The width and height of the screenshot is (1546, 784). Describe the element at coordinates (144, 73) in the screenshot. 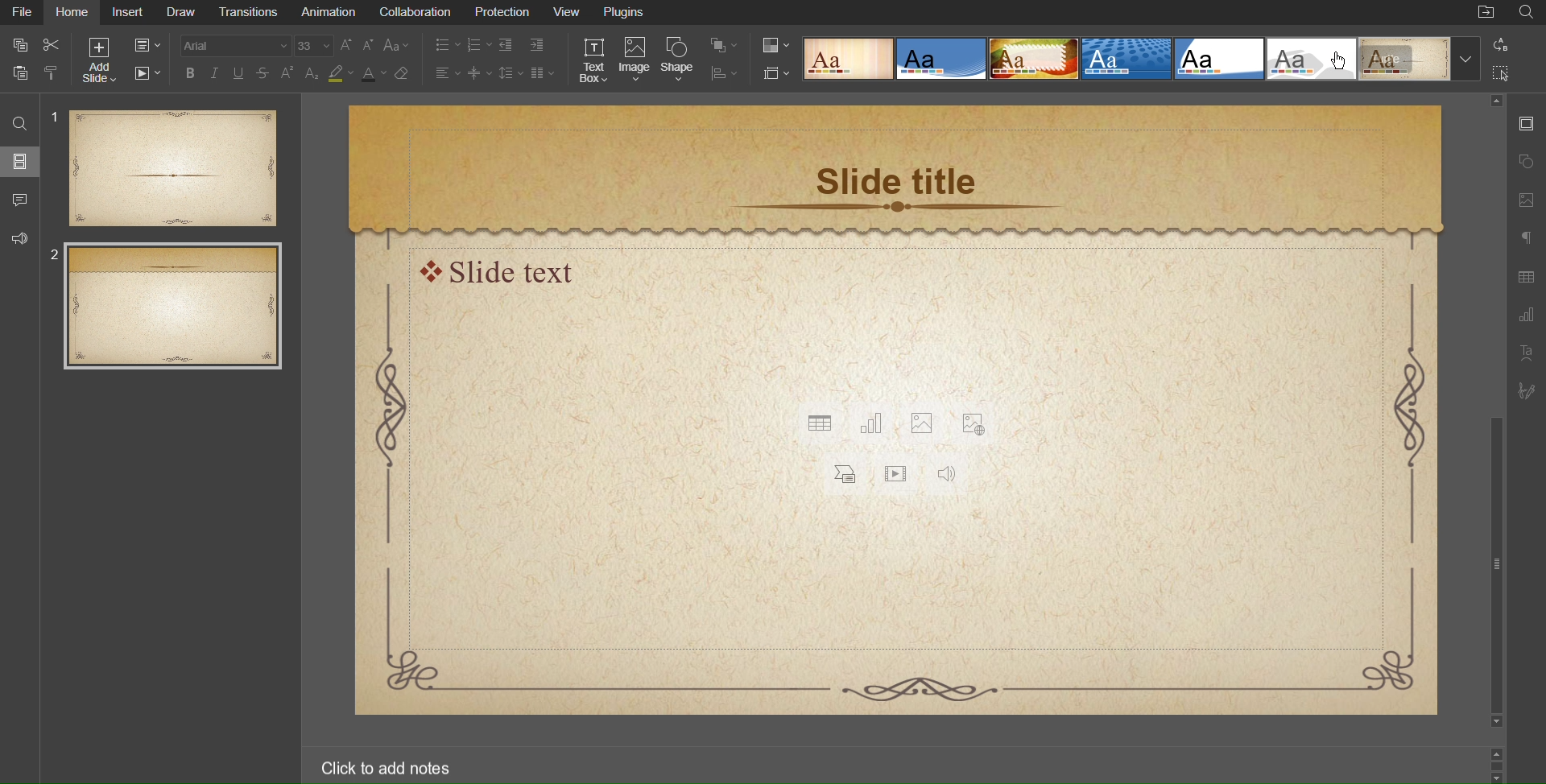

I see `Playback` at that location.